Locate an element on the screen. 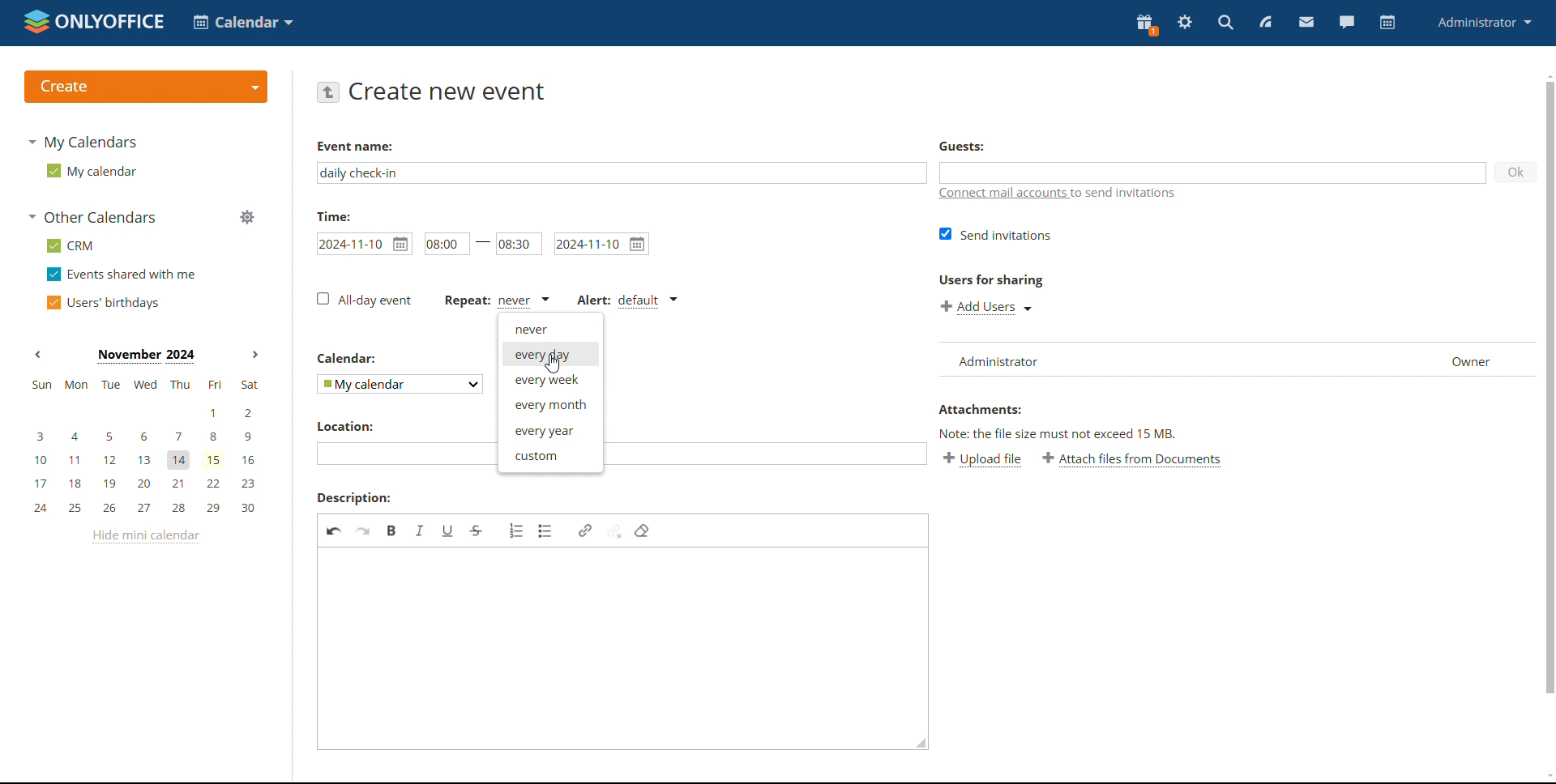 The width and height of the screenshot is (1556, 784). my calendars is located at coordinates (83, 141).